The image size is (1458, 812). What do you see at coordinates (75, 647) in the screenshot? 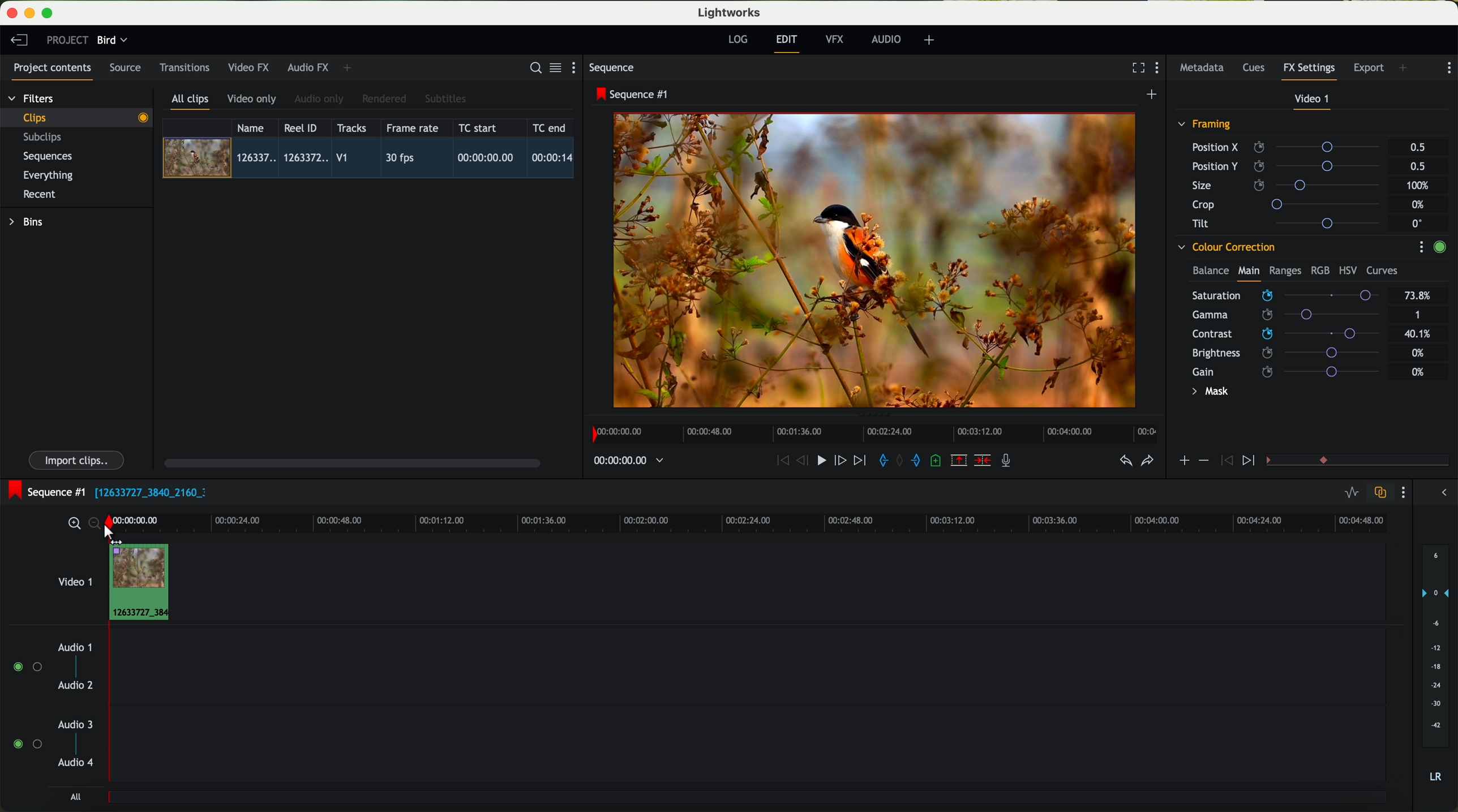
I see `audio 1` at bounding box center [75, 647].